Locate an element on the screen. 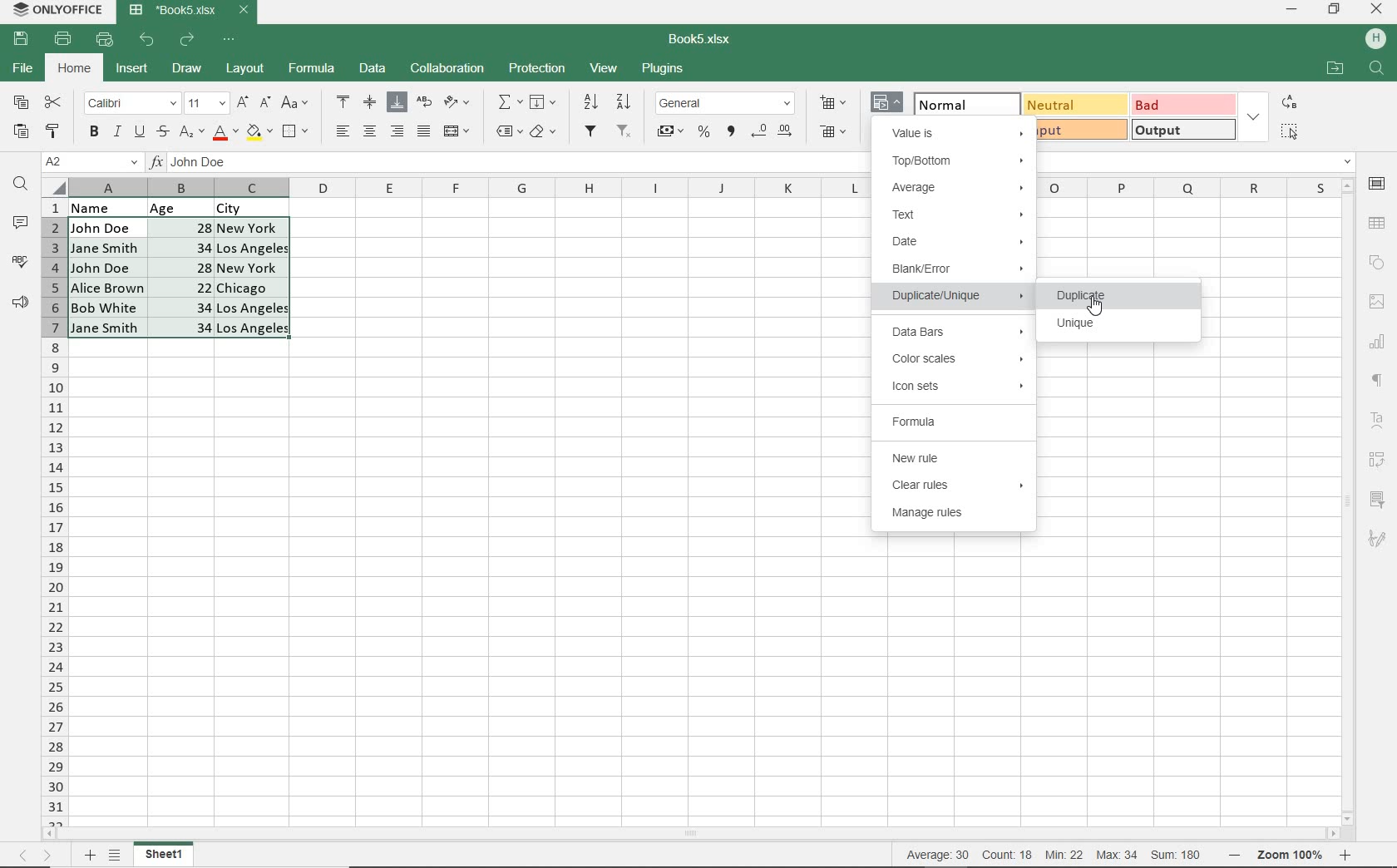 This screenshot has height=868, width=1397. DUPLICATE is located at coordinates (1117, 294).